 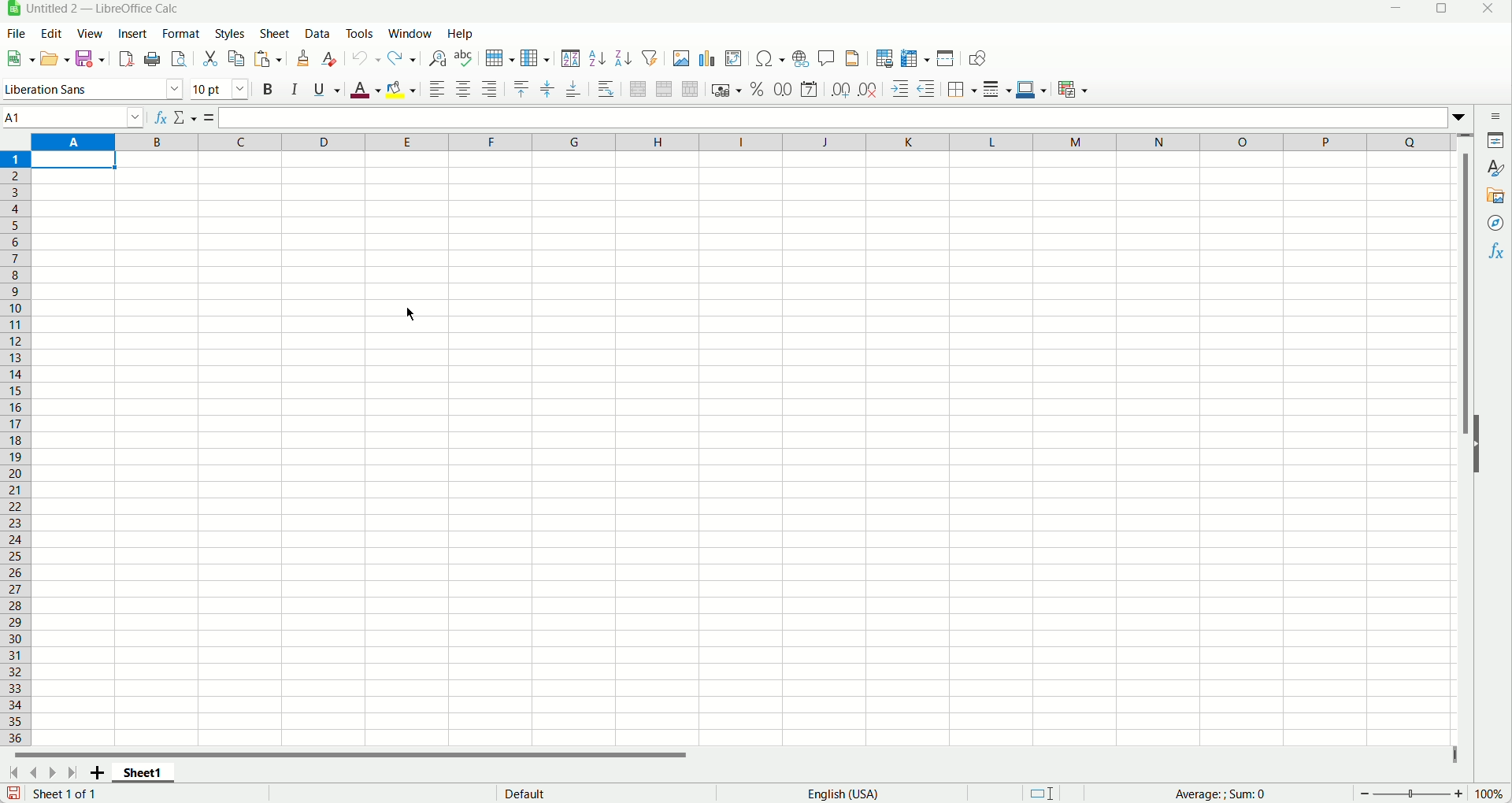 What do you see at coordinates (867, 90) in the screenshot?
I see `remove decimal place` at bounding box center [867, 90].